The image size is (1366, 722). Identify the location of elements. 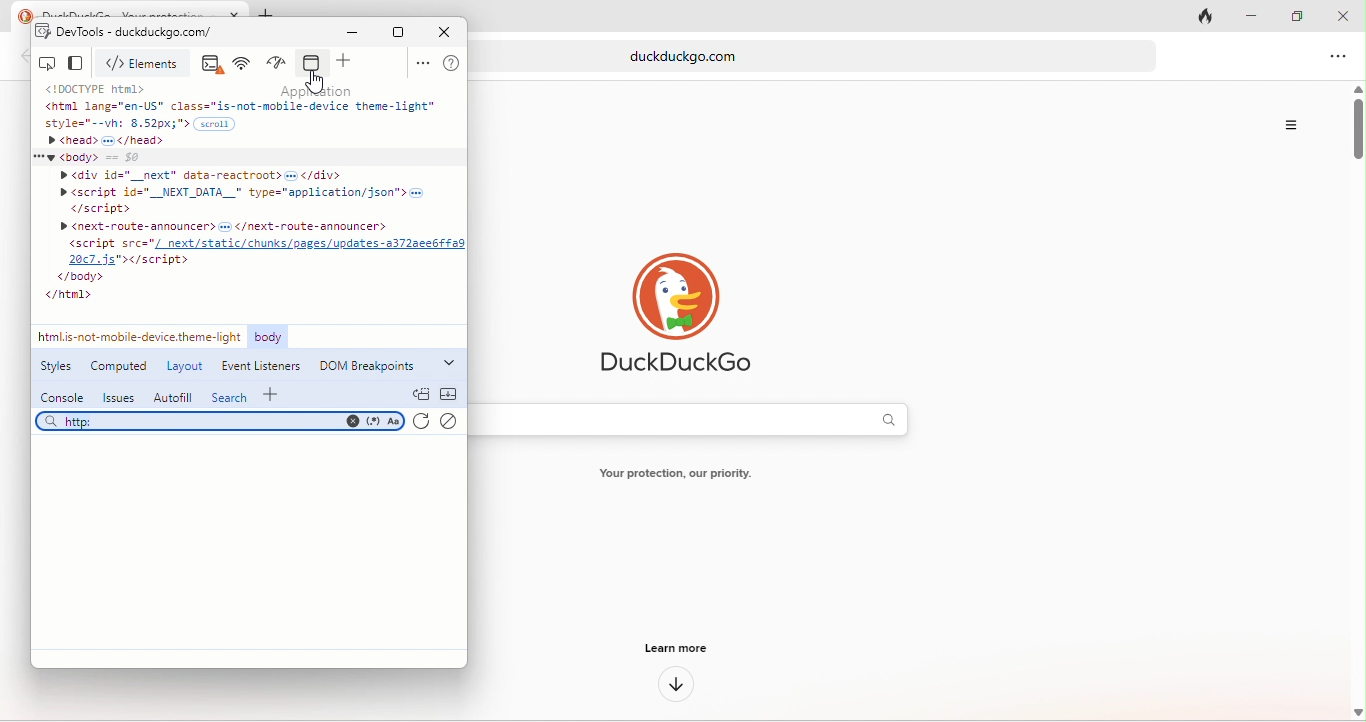
(148, 65).